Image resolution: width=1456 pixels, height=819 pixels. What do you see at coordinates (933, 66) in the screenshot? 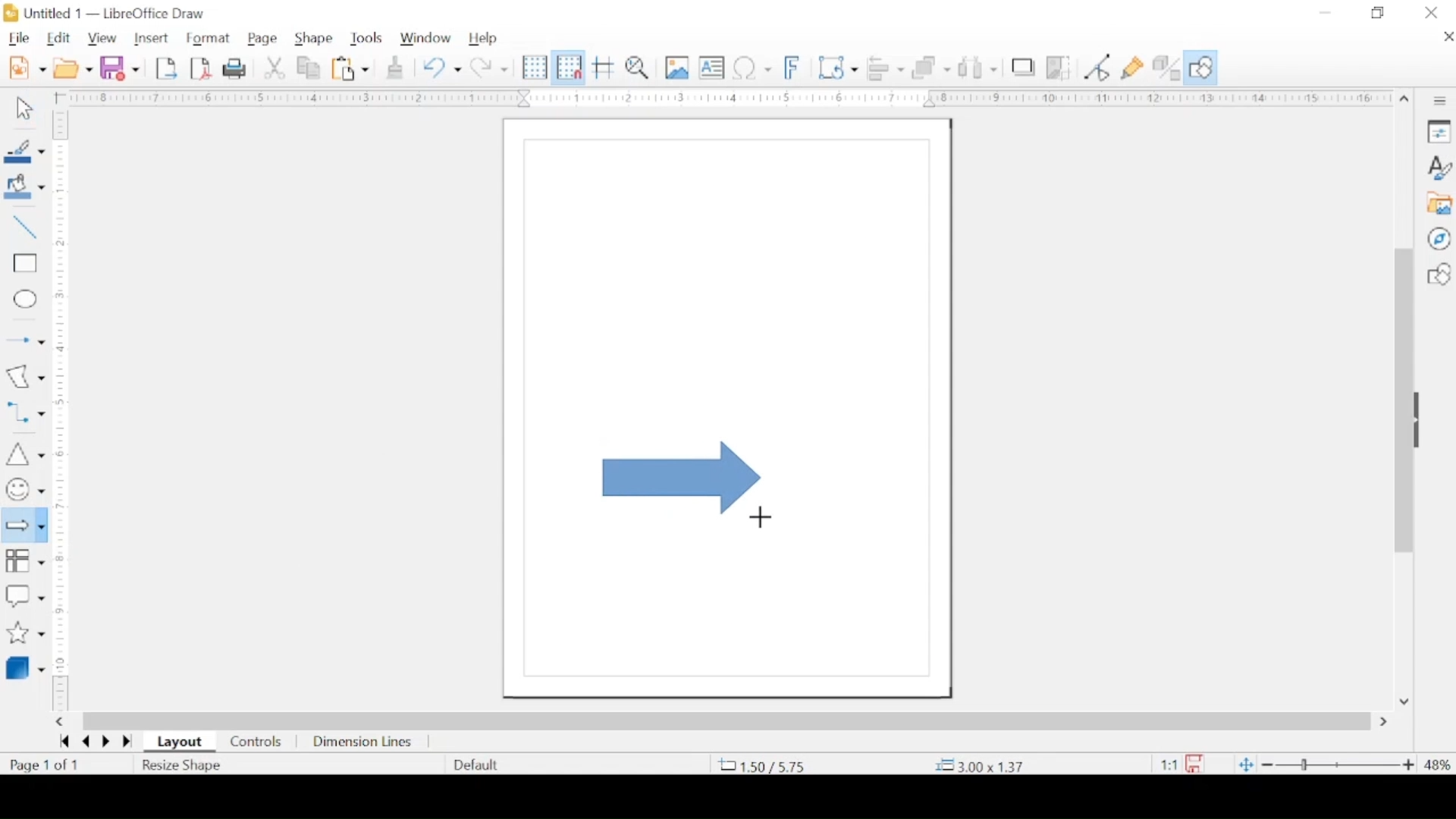
I see `arrange` at bounding box center [933, 66].